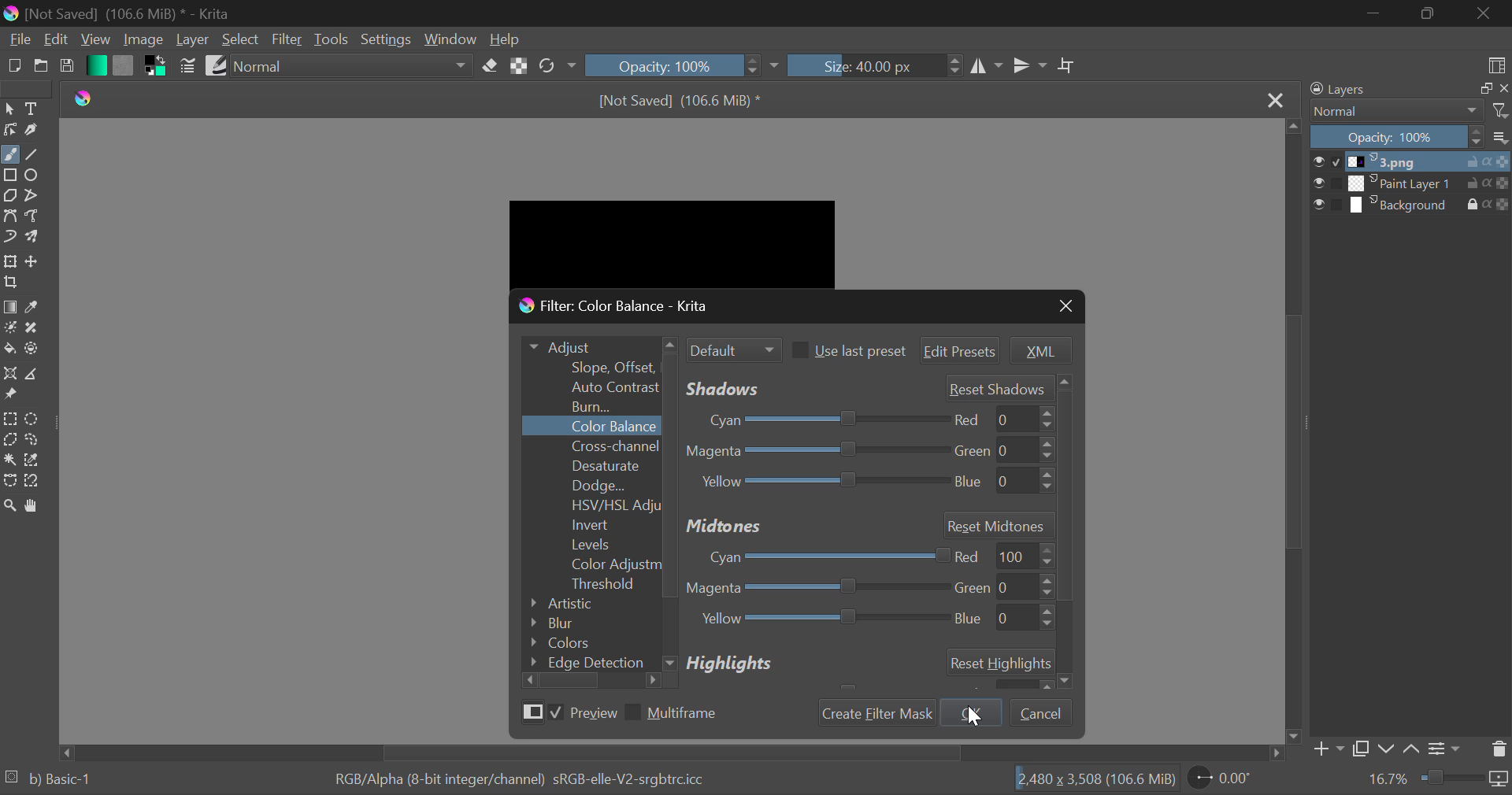 This screenshot has height=795, width=1512. Describe the element at coordinates (677, 713) in the screenshot. I see `Multiframe` at that location.